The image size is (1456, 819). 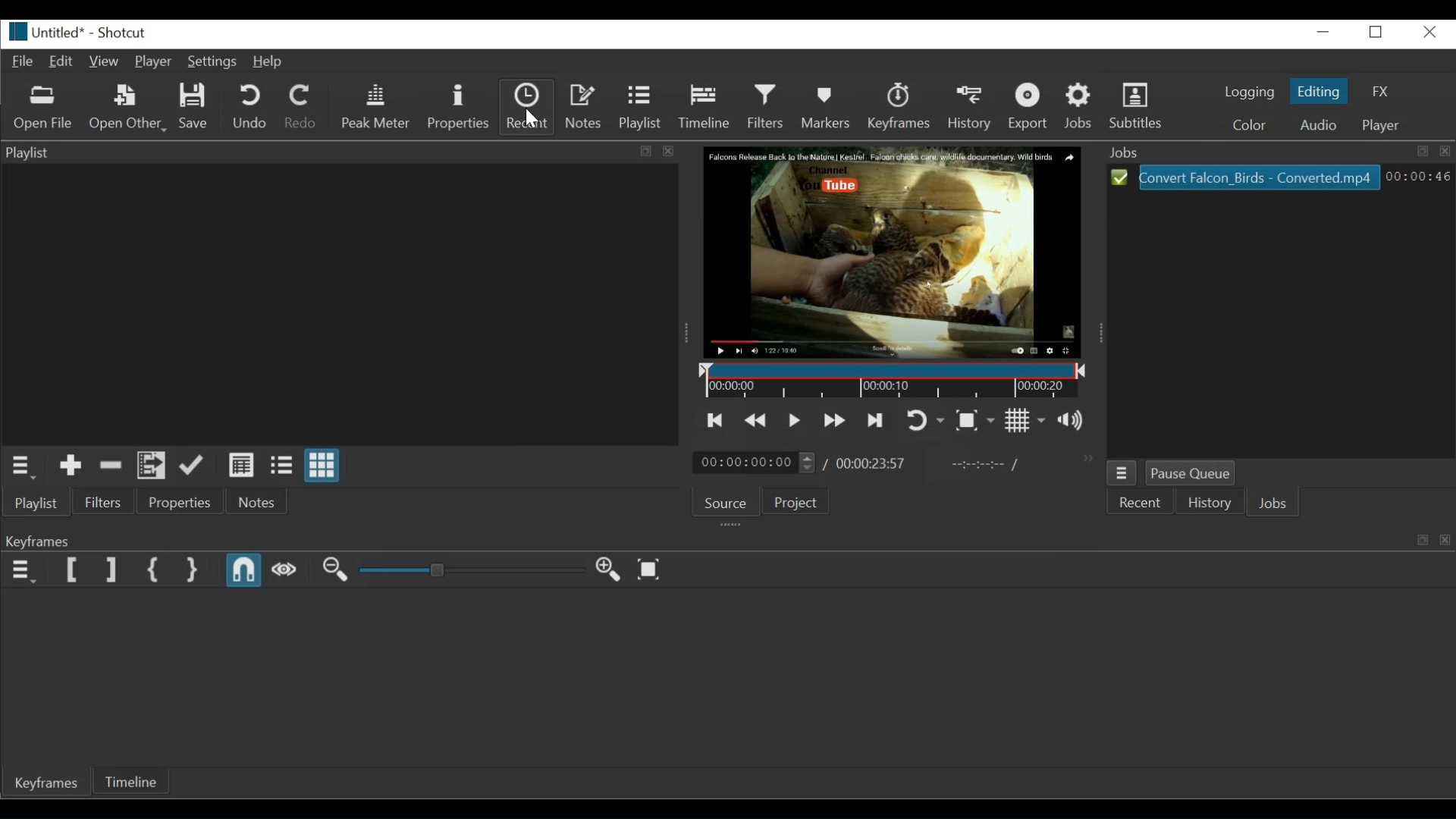 What do you see at coordinates (1271, 503) in the screenshot?
I see `Jobs` at bounding box center [1271, 503].